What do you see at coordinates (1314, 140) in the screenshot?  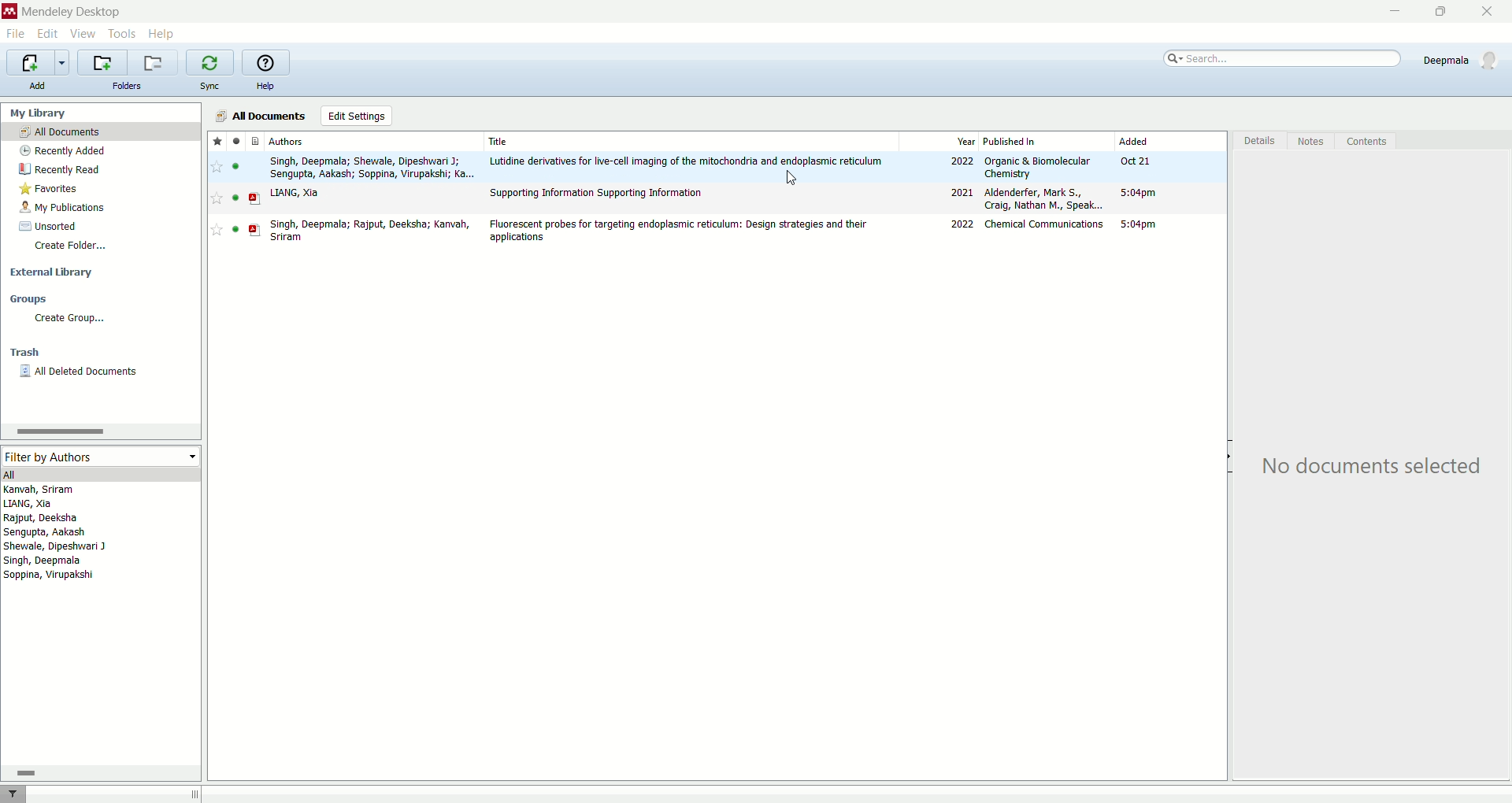 I see `notes` at bounding box center [1314, 140].